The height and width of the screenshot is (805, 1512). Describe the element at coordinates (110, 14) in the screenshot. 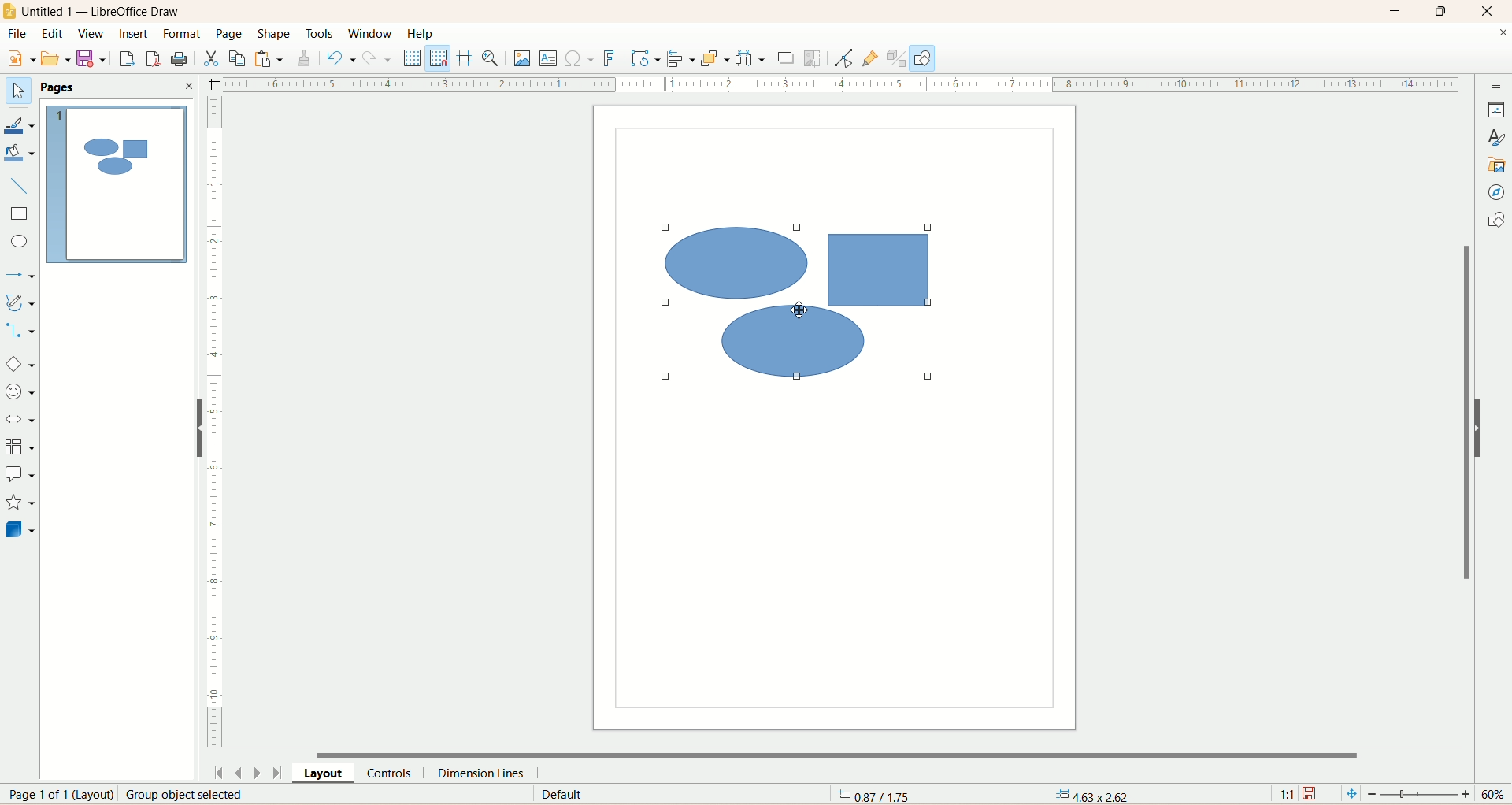

I see `title` at that location.